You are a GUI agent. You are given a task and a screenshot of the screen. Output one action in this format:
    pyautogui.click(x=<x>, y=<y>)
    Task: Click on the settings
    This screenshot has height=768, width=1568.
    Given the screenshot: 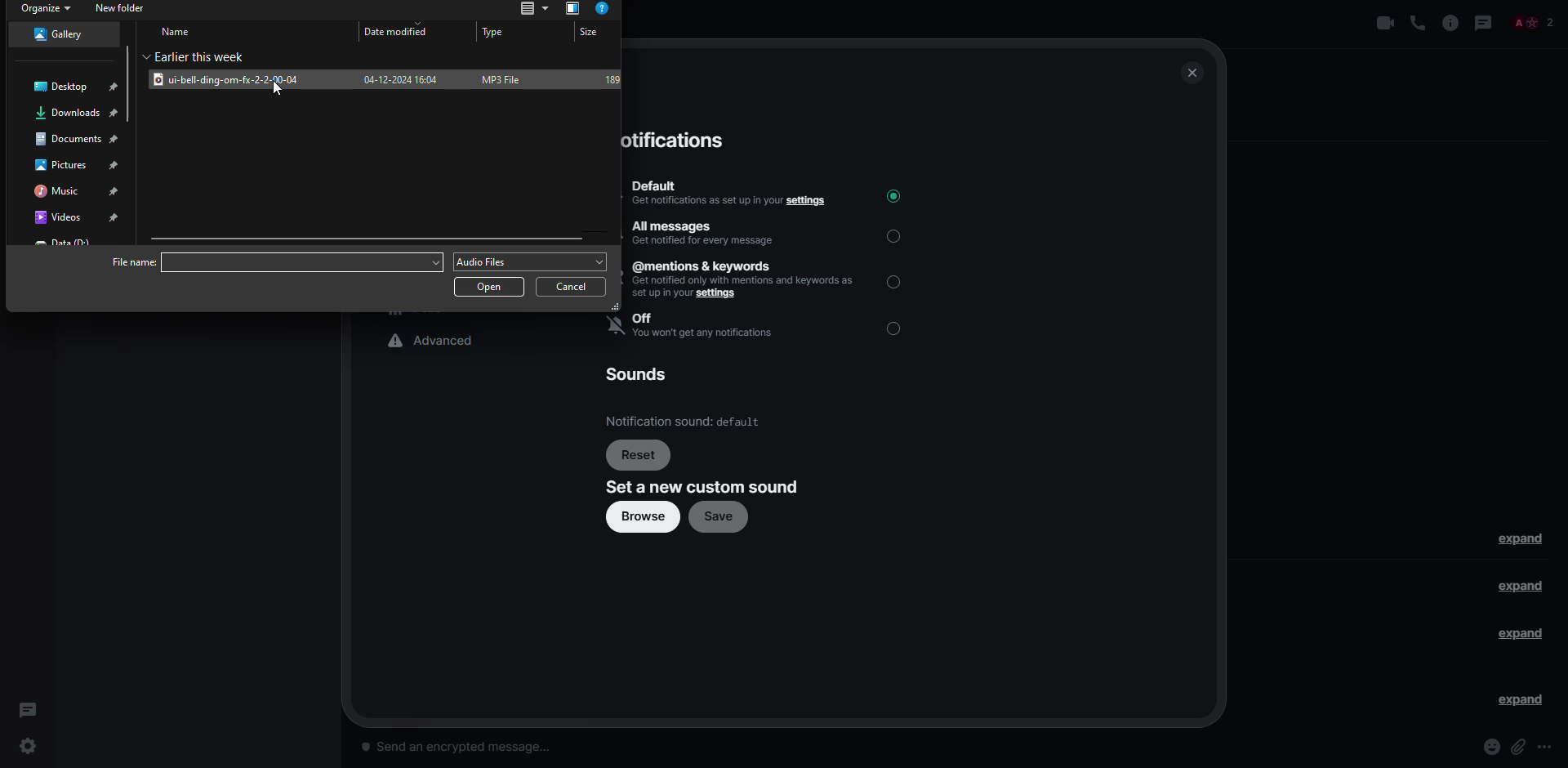 What is the action you would take?
    pyautogui.click(x=33, y=748)
    